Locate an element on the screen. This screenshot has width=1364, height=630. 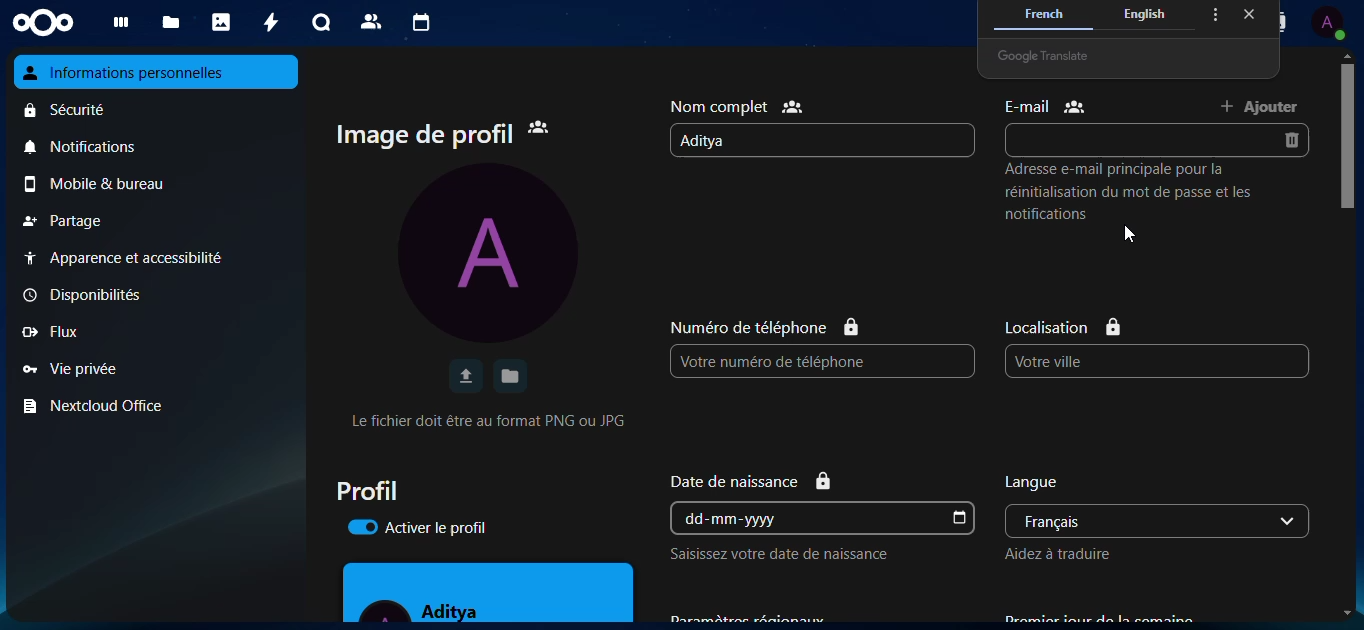
english is located at coordinates (1147, 15).